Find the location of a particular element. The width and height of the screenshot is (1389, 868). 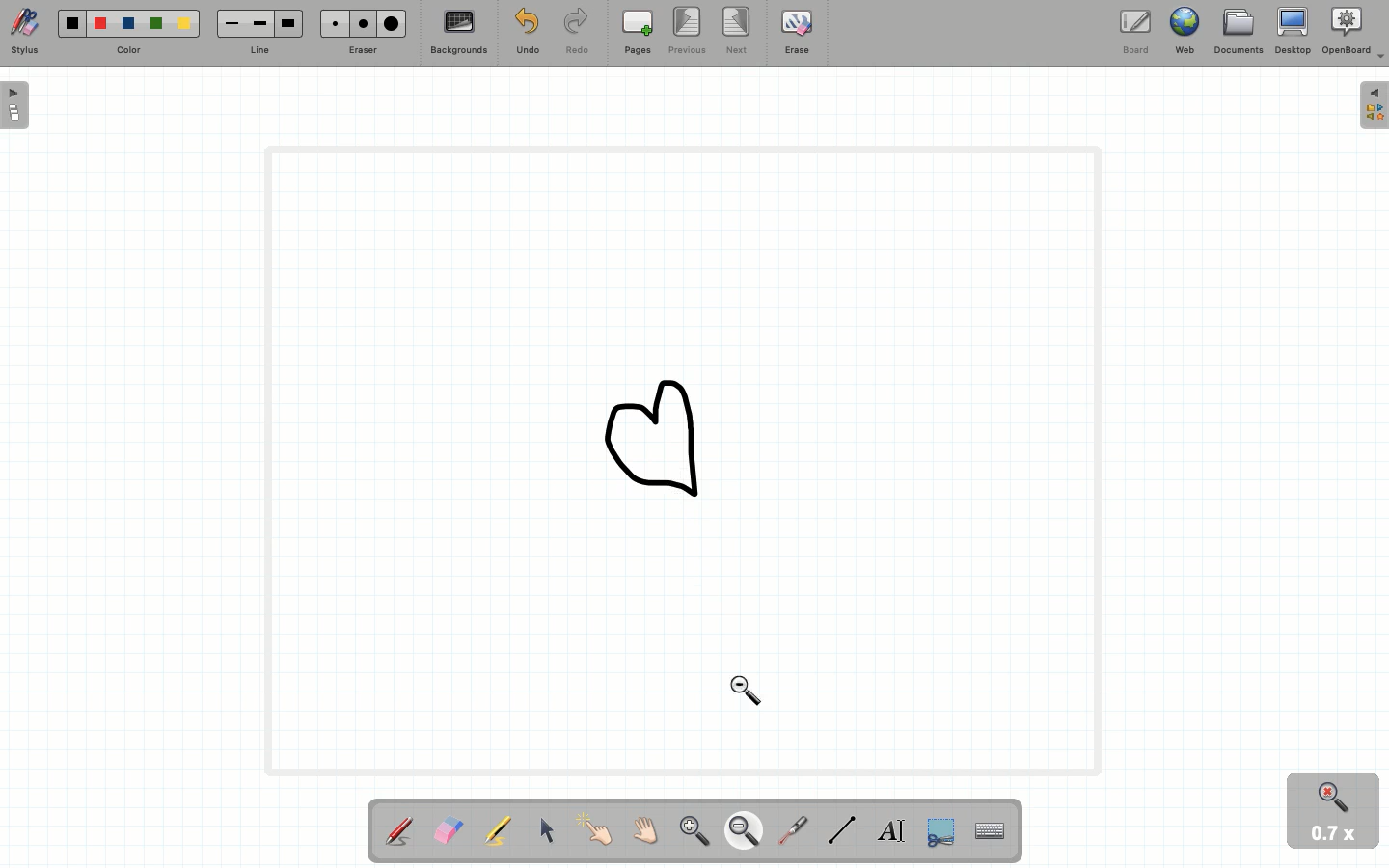

TextInput is located at coordinates (989, 829).